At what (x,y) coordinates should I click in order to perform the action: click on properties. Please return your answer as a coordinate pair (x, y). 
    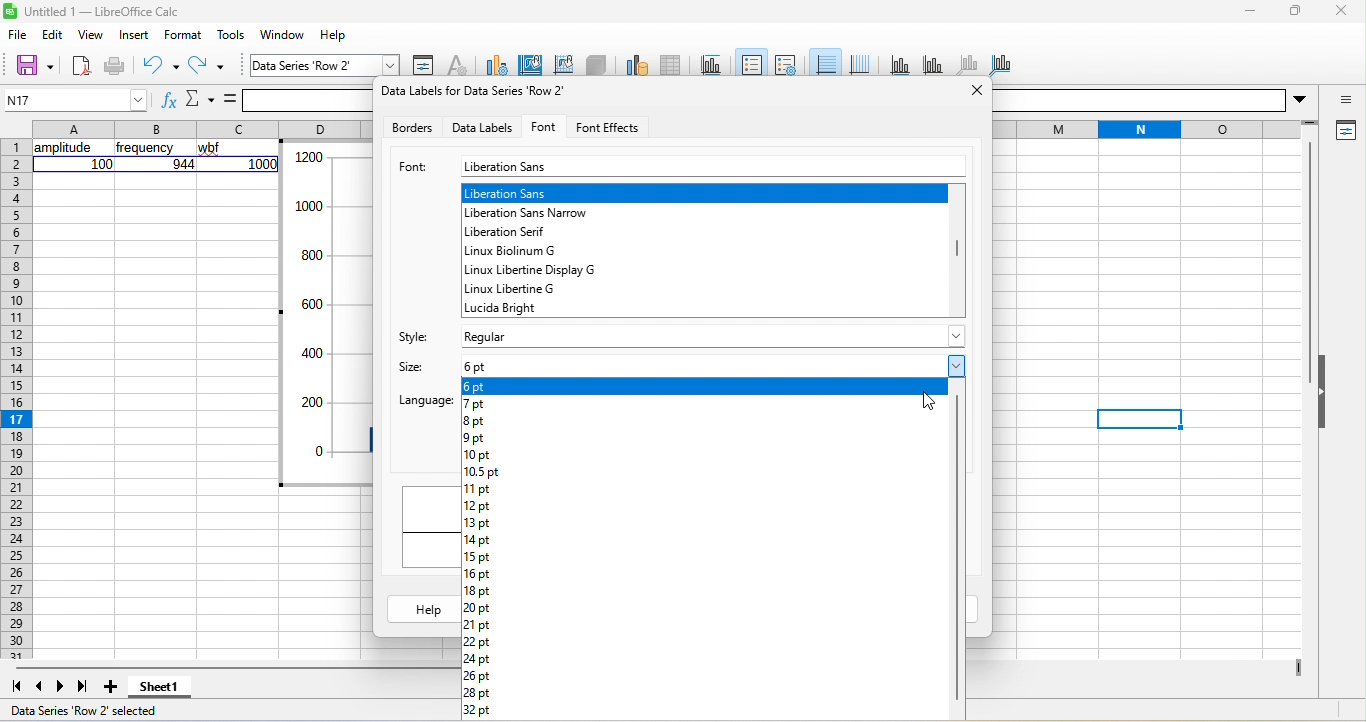
    Looking at the image, I should click on (1342, 130).